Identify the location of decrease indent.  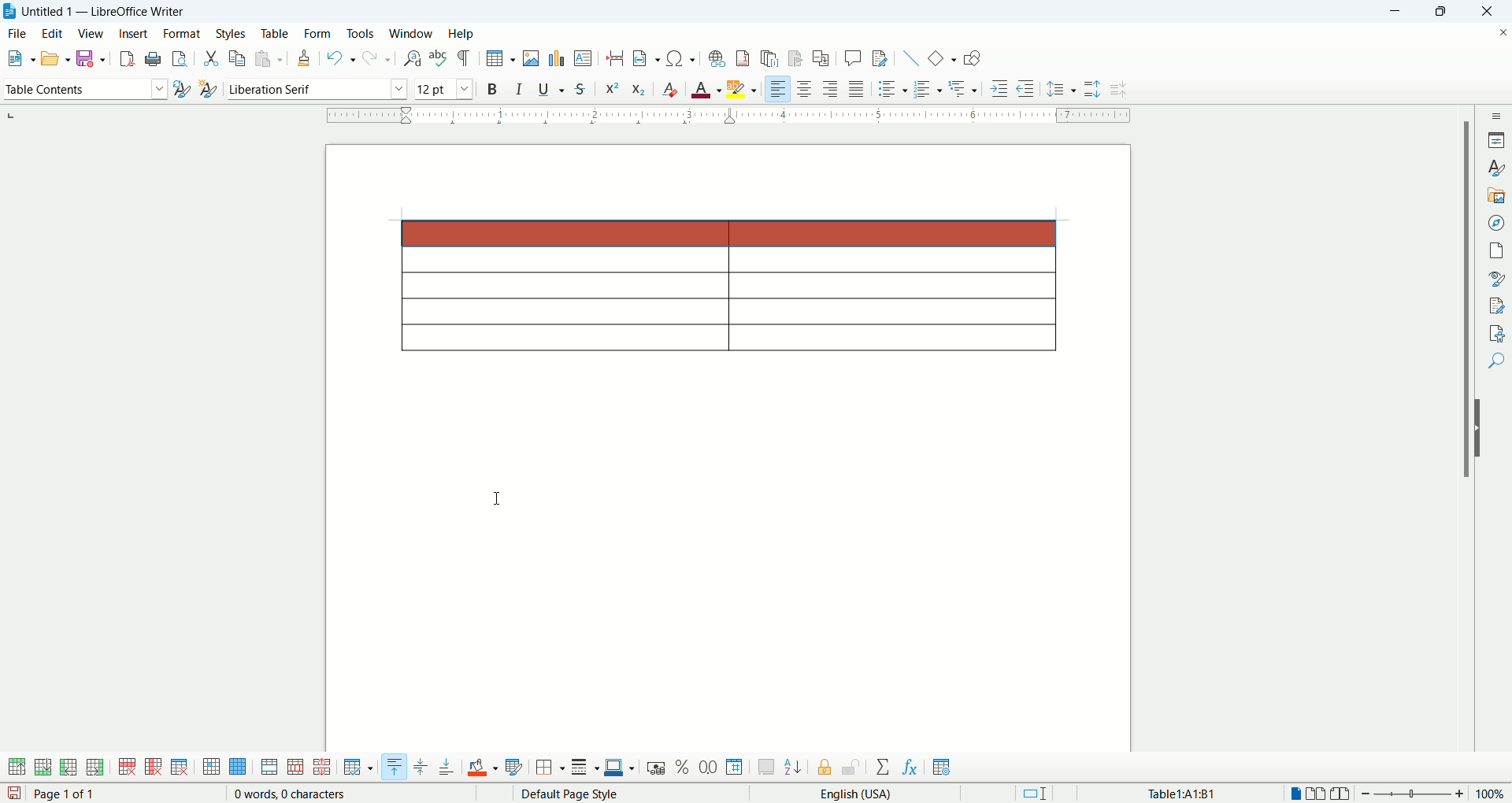
(1025, 87).